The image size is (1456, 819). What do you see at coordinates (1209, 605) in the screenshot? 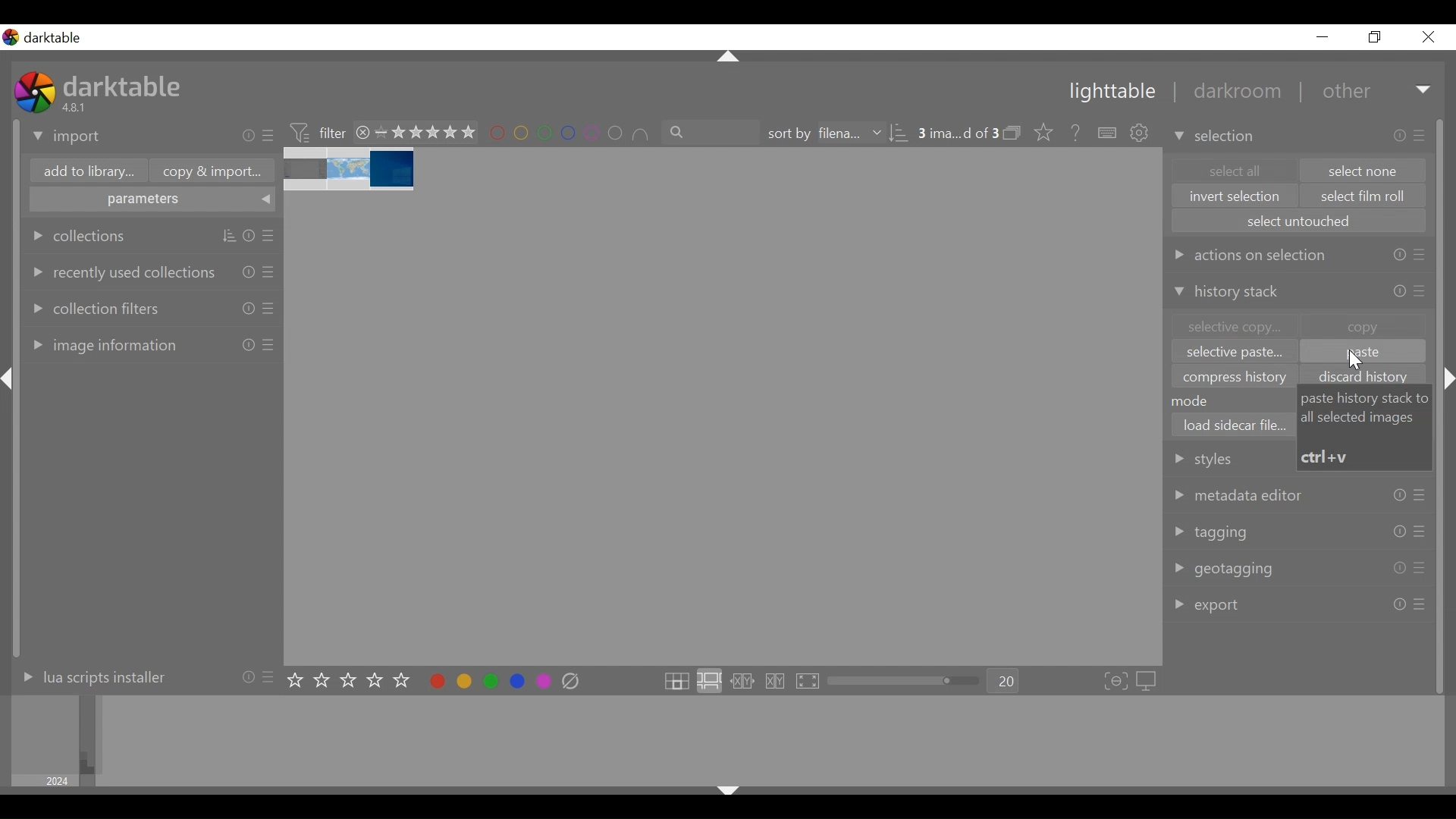
I see `export` at bounding box center [1209, 605].